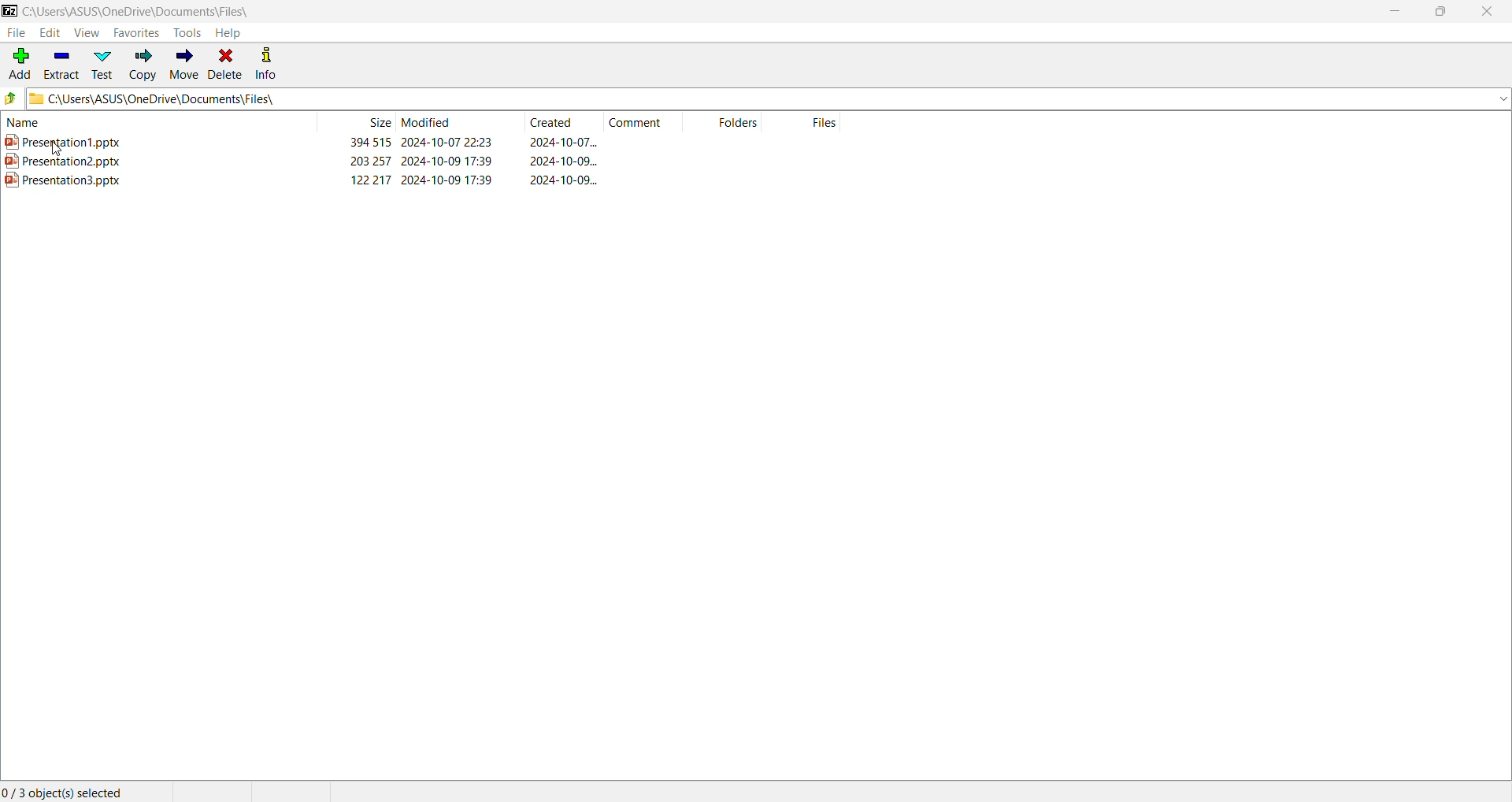 This screenshot has height=802, width=1512. What do you see at coordinates (308, 143) in the screenshot?
I see `Presentation1.pptx 394 515 2024-10-07 22:23 2024-10-07...` at bounding box center [308, 143].